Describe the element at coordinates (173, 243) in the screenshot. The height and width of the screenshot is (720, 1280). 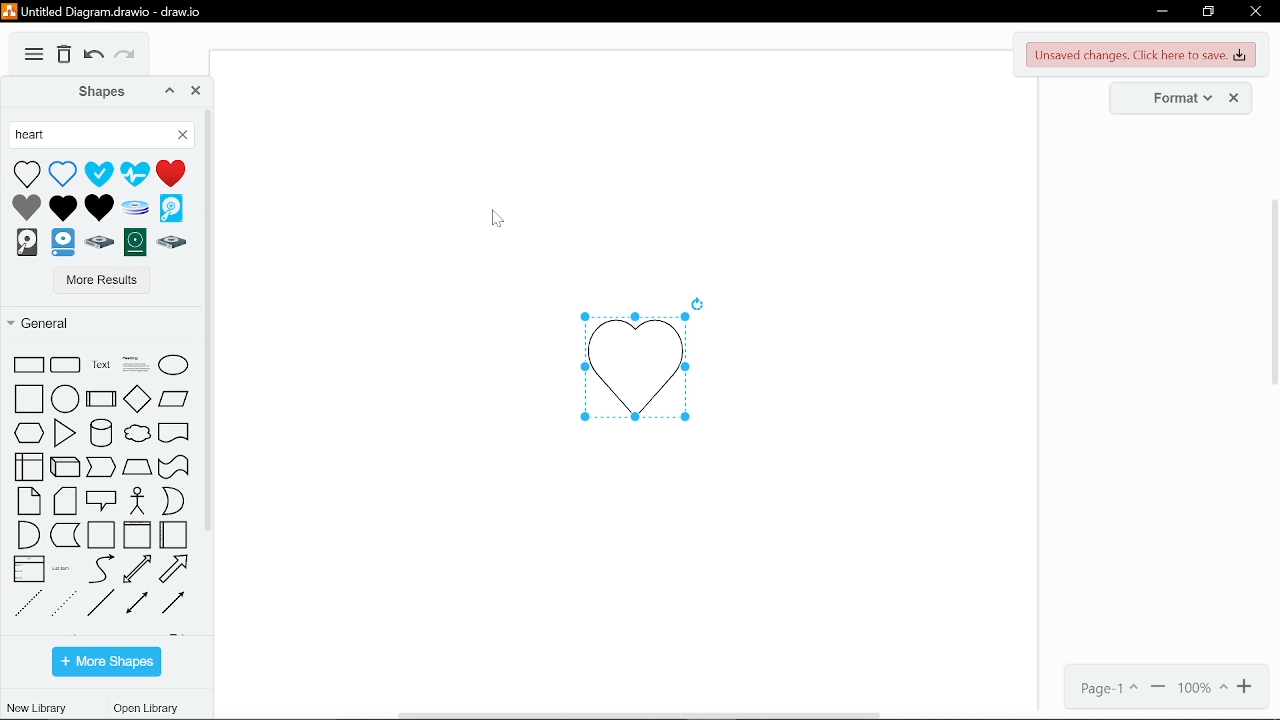
I see `hard drive` at that location.